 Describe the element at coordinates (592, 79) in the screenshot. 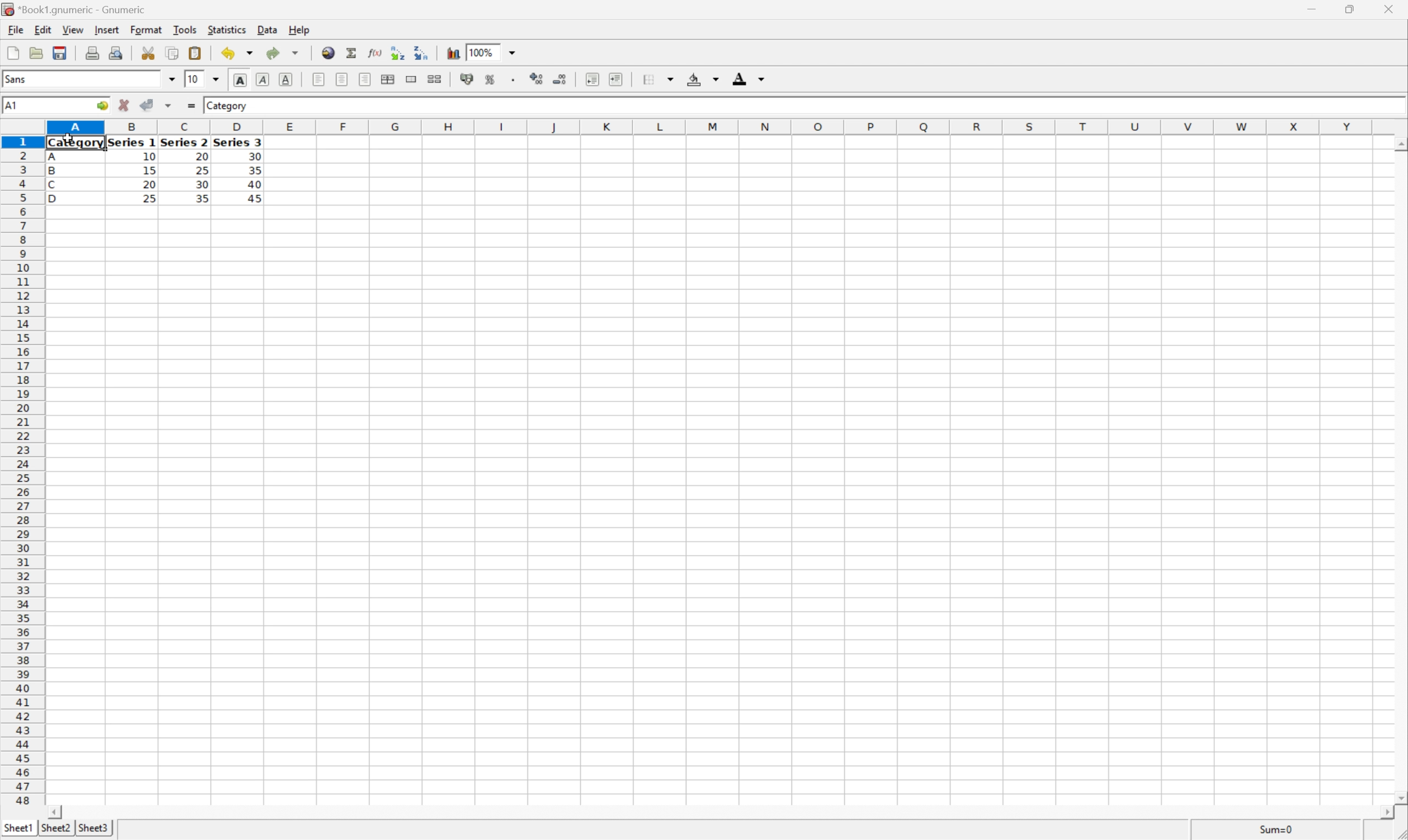

I see `Decrease indent, and align the contents to the left` at that location.